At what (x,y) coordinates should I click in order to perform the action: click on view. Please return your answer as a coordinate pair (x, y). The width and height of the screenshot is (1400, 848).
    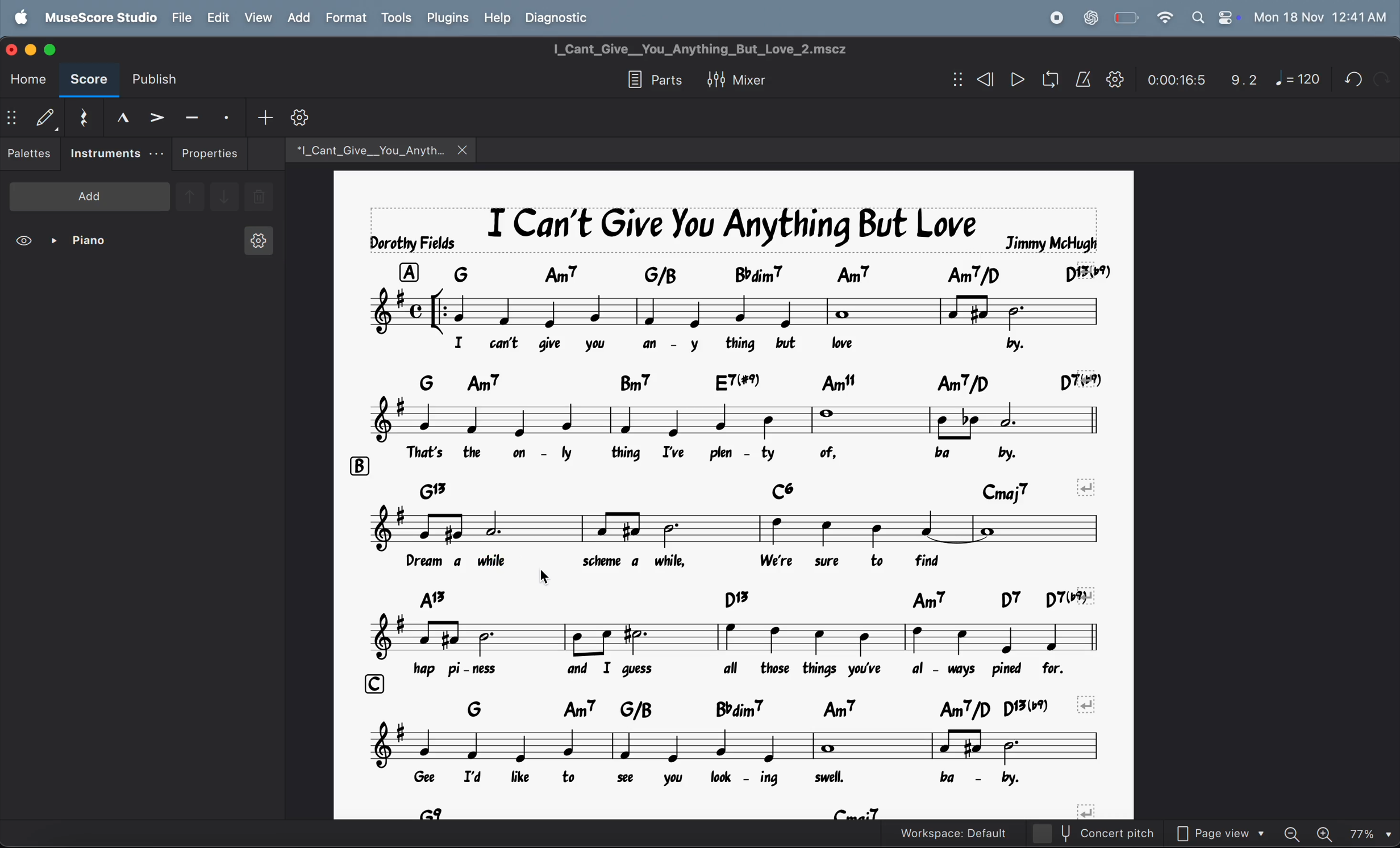
    Looking at the image, I should click on (23, 239).